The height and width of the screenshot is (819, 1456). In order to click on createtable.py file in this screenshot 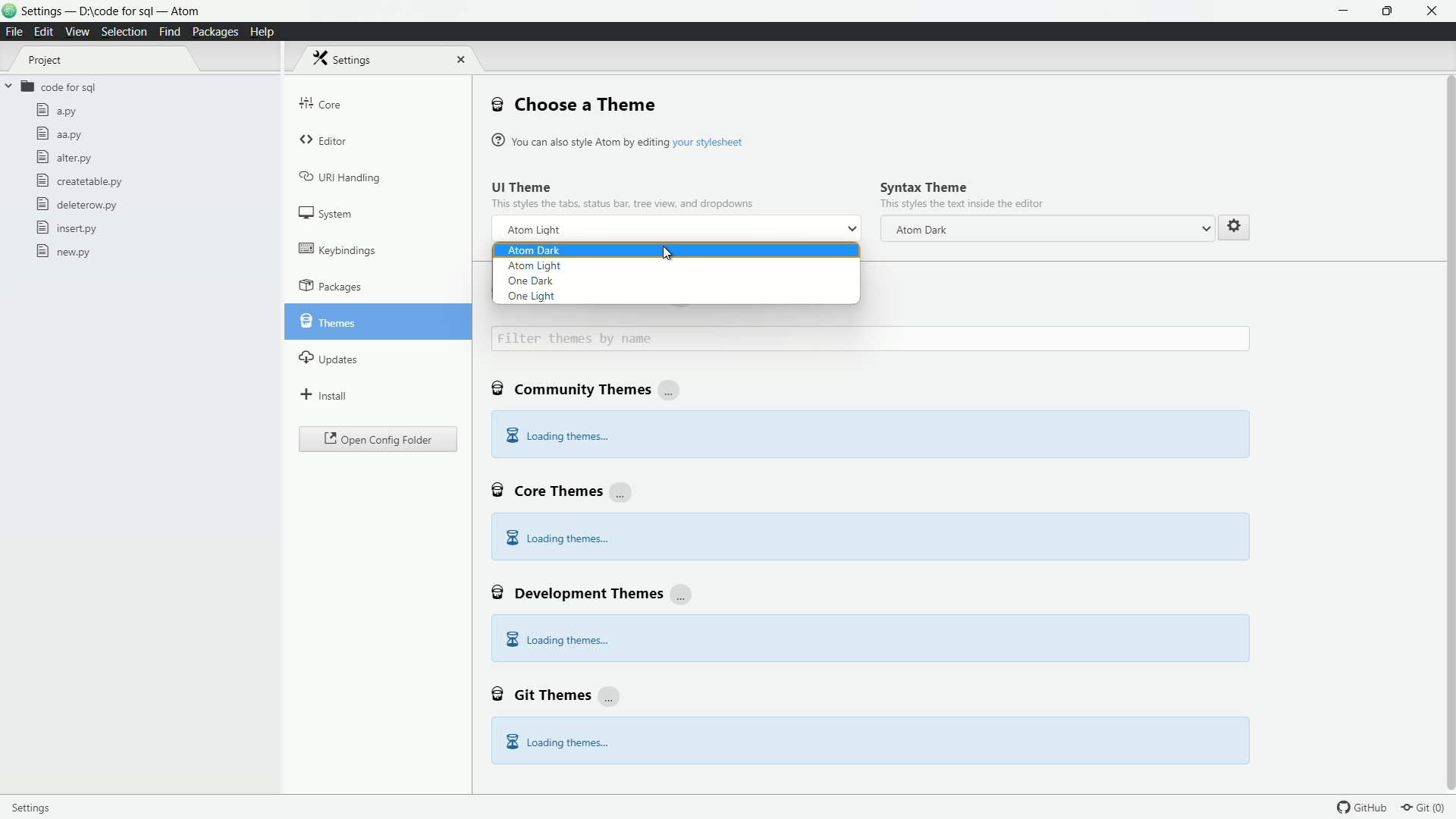, I will do `click(77, 180)`.